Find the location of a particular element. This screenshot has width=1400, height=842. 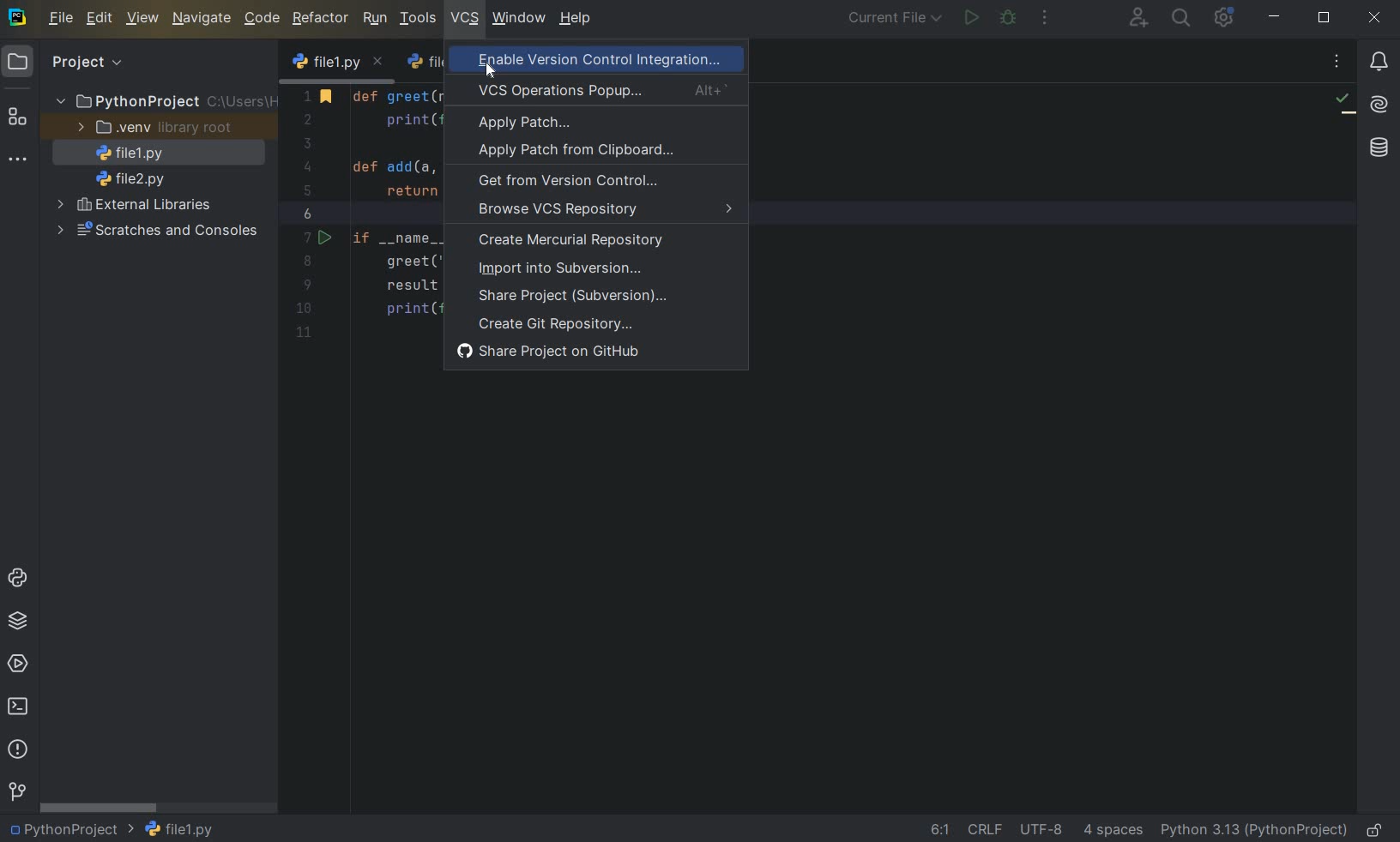

create mercurial repository is located at coordinates (595, 242).